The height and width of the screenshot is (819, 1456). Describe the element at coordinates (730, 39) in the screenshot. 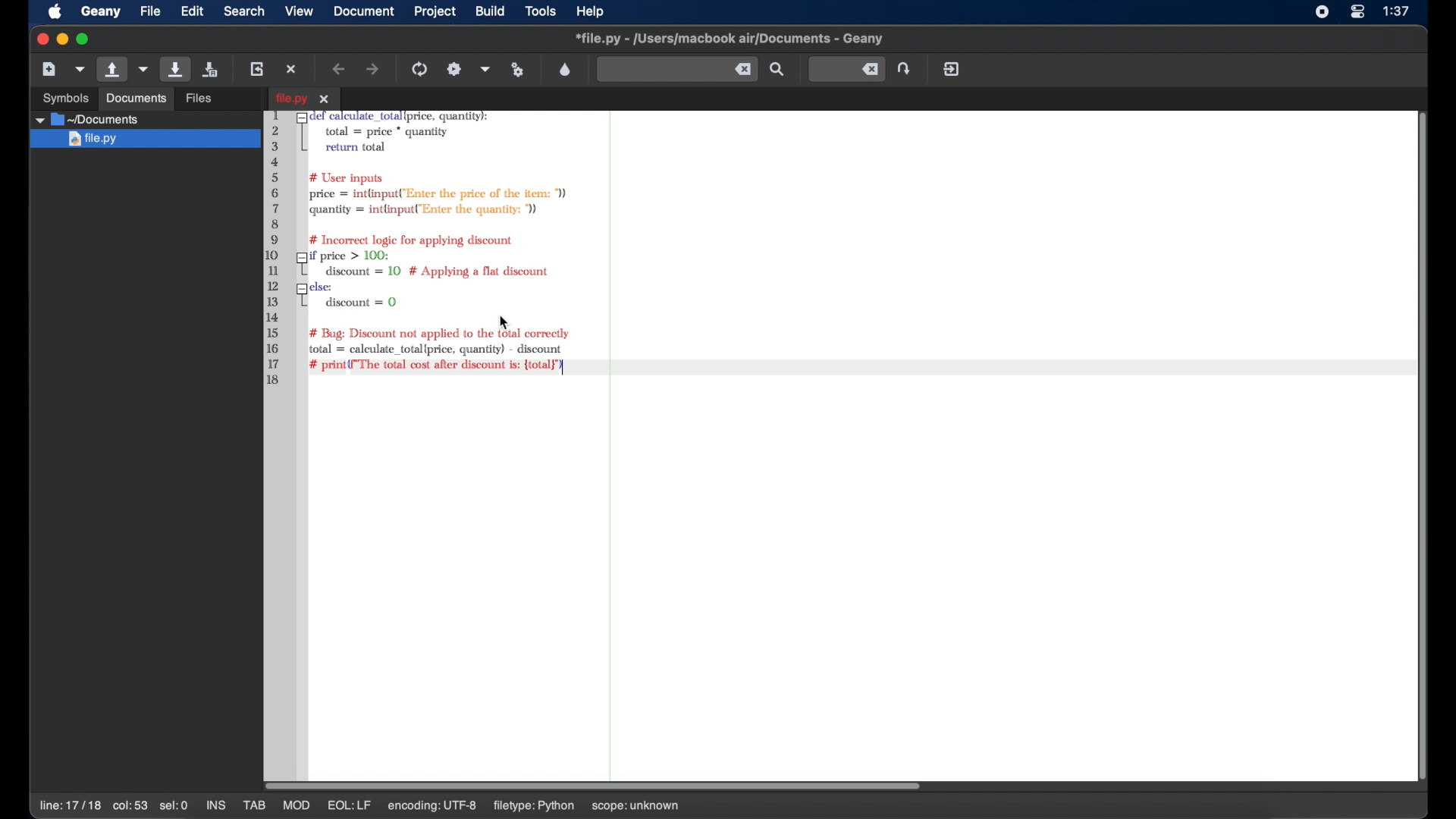

I see `filename` at that location.